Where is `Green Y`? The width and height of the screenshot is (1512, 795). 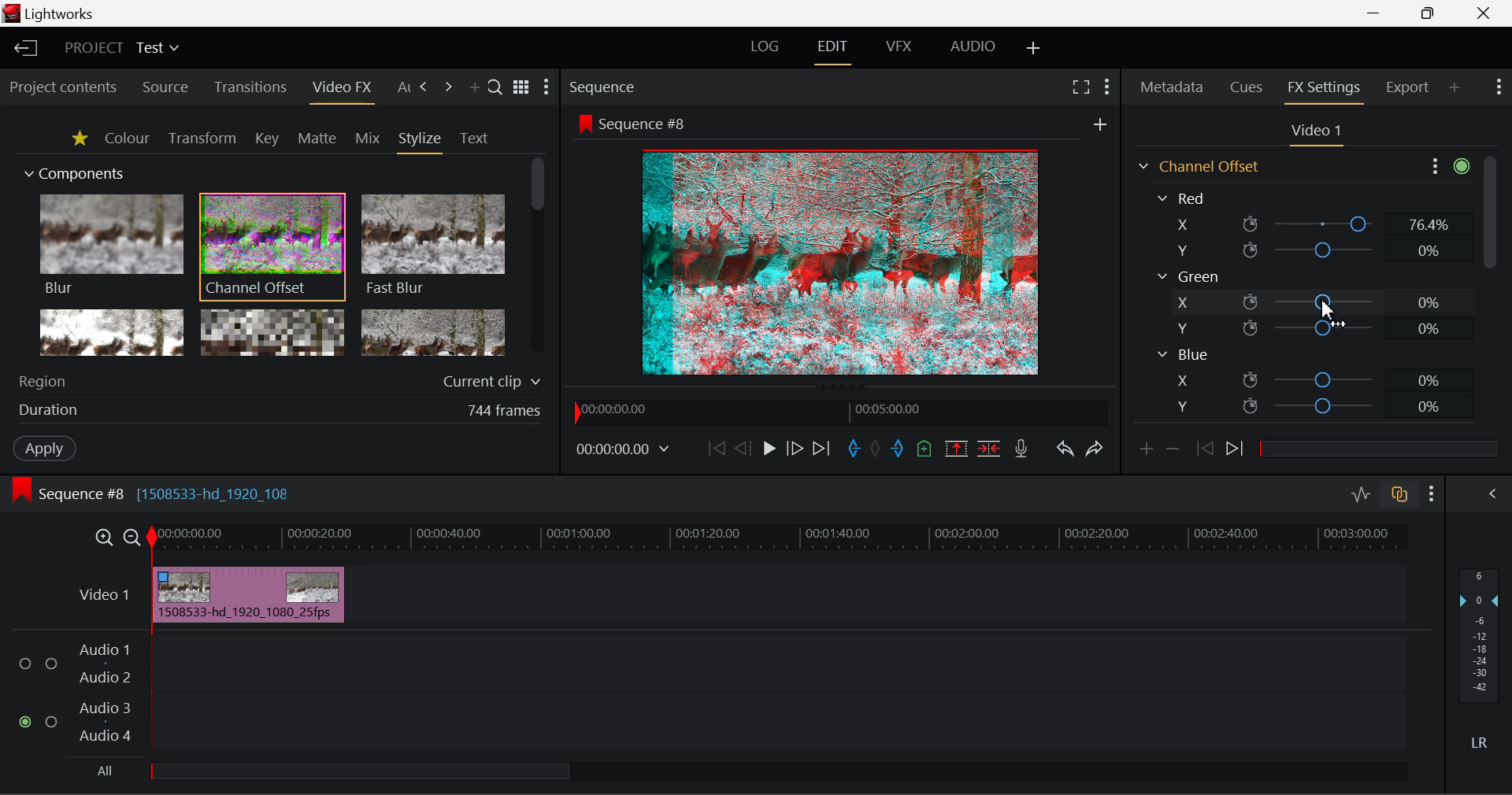
Green Y is located at coordinates (1308, 327).